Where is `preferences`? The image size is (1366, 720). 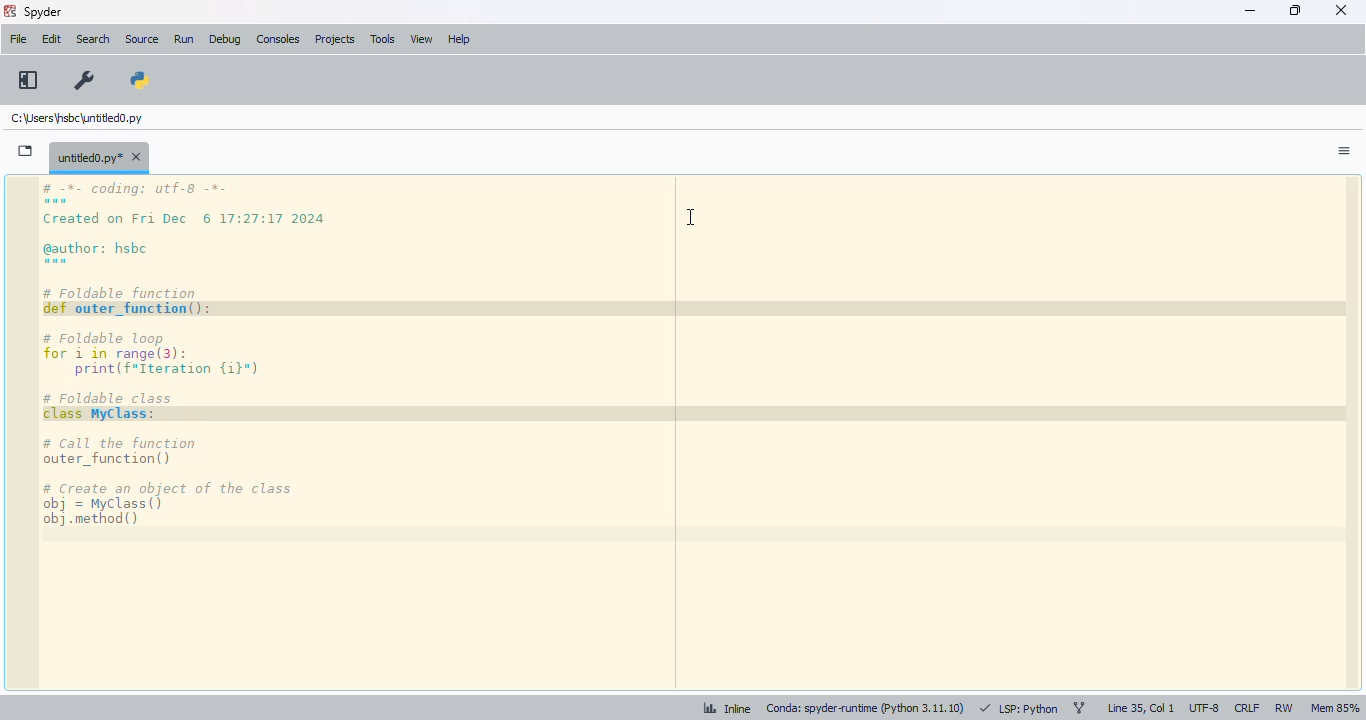 preferences is located at coordinates (76, 78).